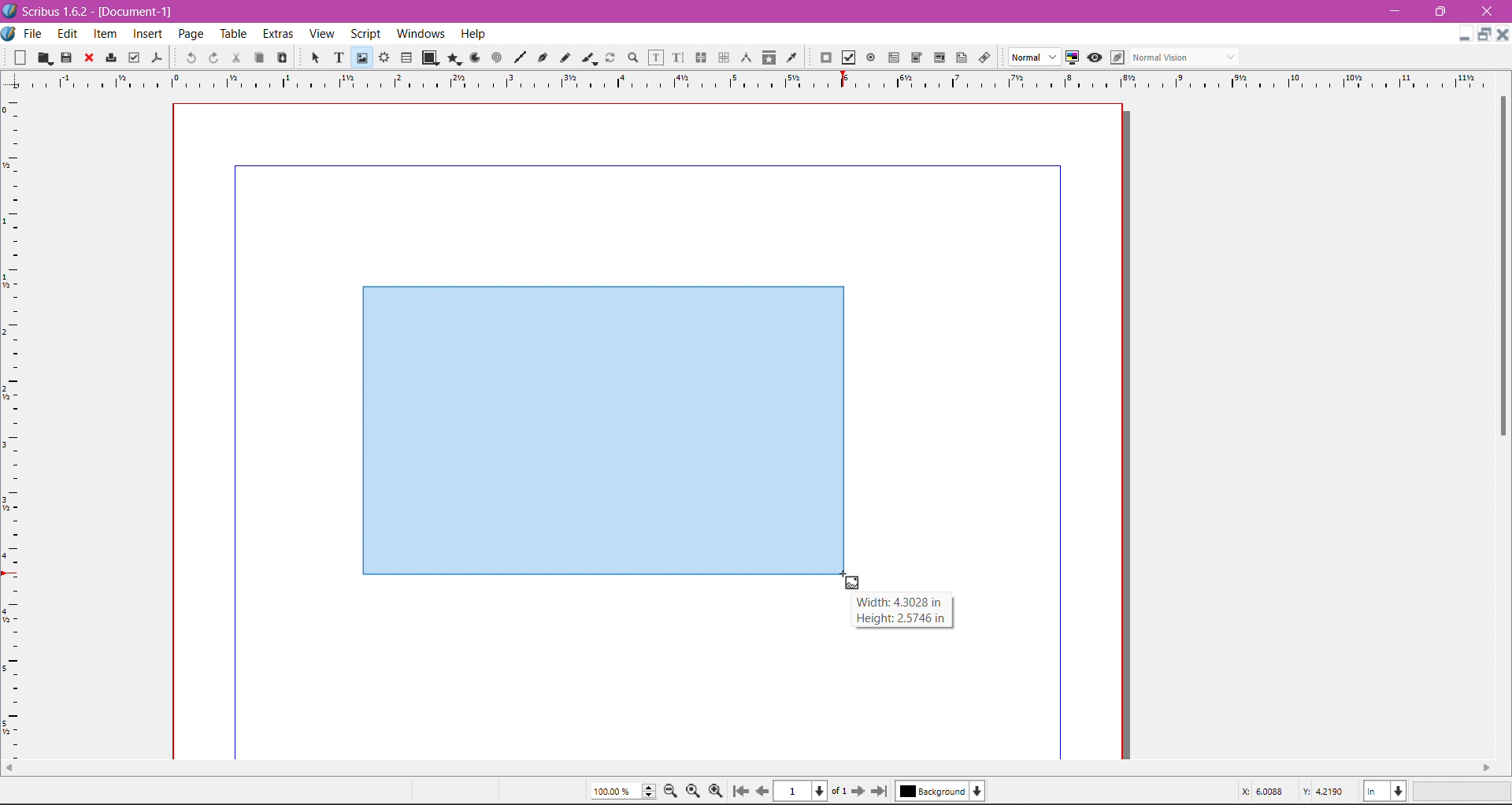  What do you see at coordinates (133, 58) in the screenshot?
I see `Preflight Verifier` at bounding box center [133, 58].